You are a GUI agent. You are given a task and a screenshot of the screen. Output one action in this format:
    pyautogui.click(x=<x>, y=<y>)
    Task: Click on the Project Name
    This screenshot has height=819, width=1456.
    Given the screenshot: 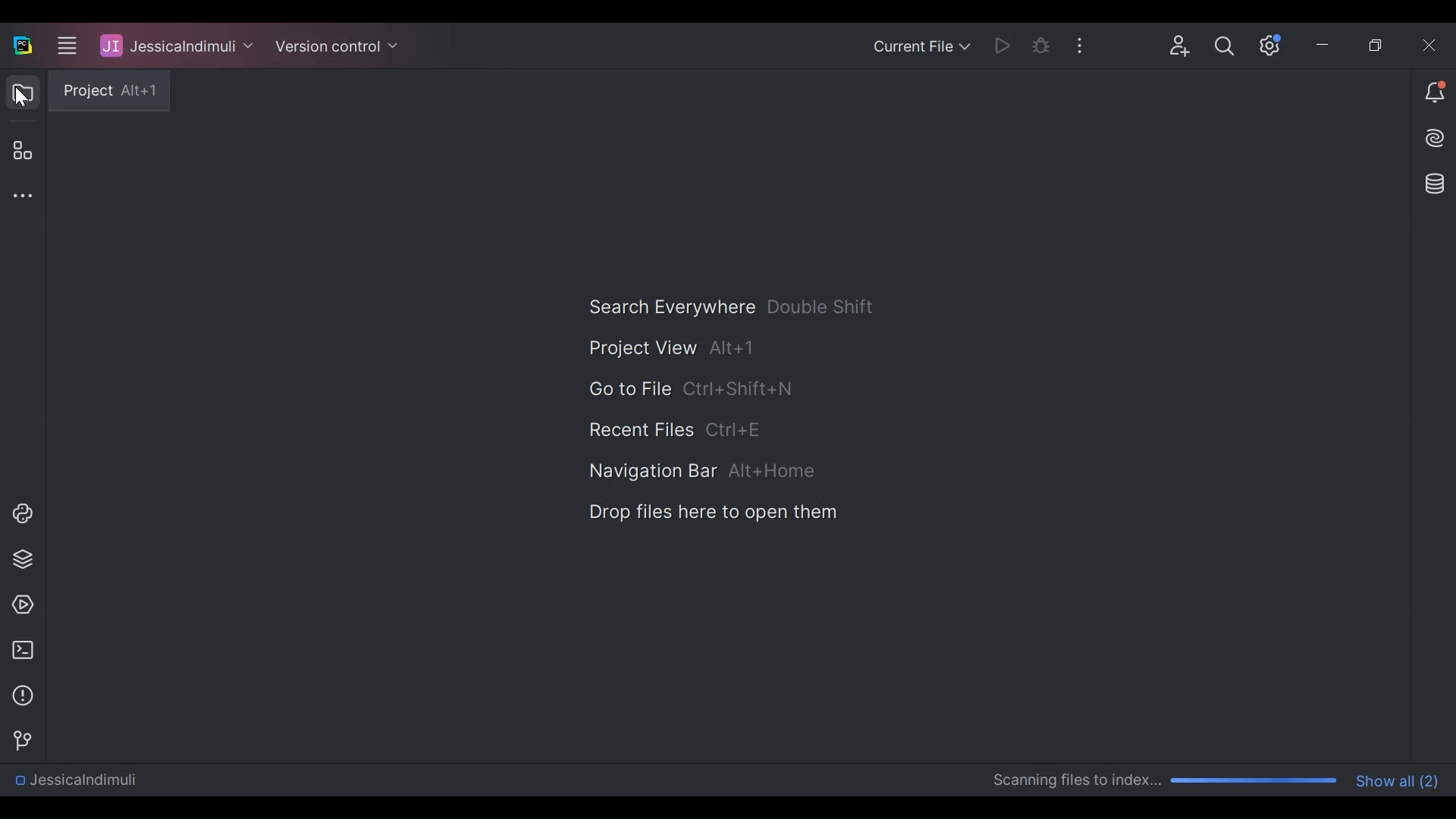 What is the action you would take?
    pyautogui.click(x=174, y=45)
    